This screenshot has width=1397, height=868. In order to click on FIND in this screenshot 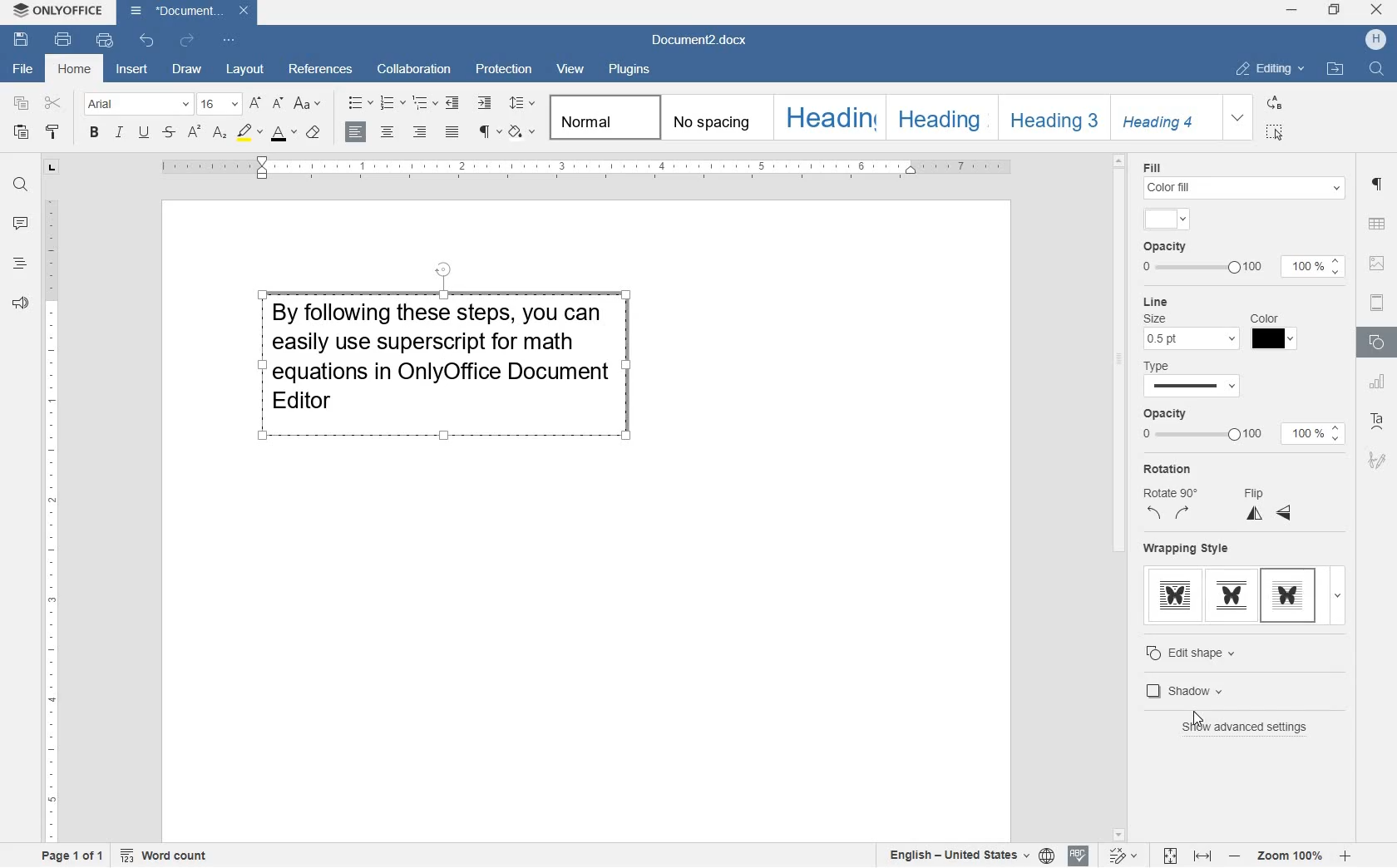, I will do `click(1378, 71)`.